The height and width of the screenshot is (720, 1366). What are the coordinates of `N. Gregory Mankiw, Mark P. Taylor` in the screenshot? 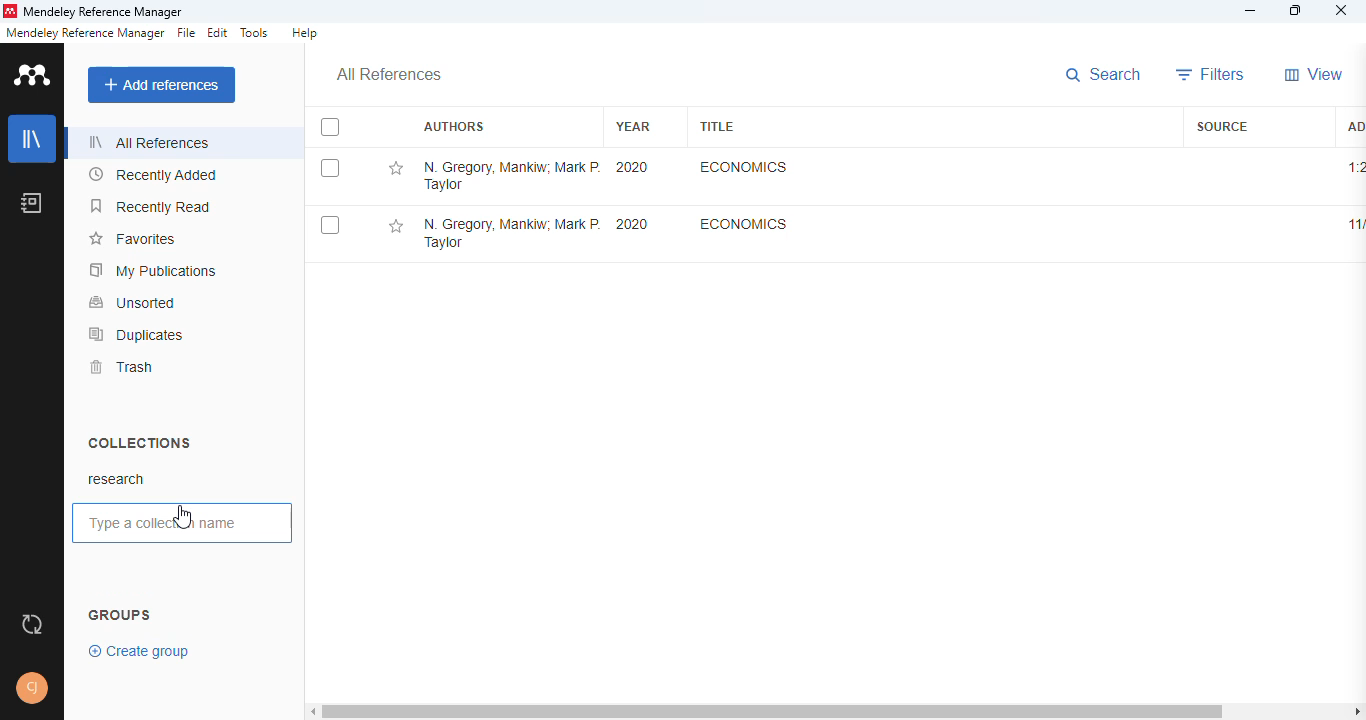 It's located at (510, 235).